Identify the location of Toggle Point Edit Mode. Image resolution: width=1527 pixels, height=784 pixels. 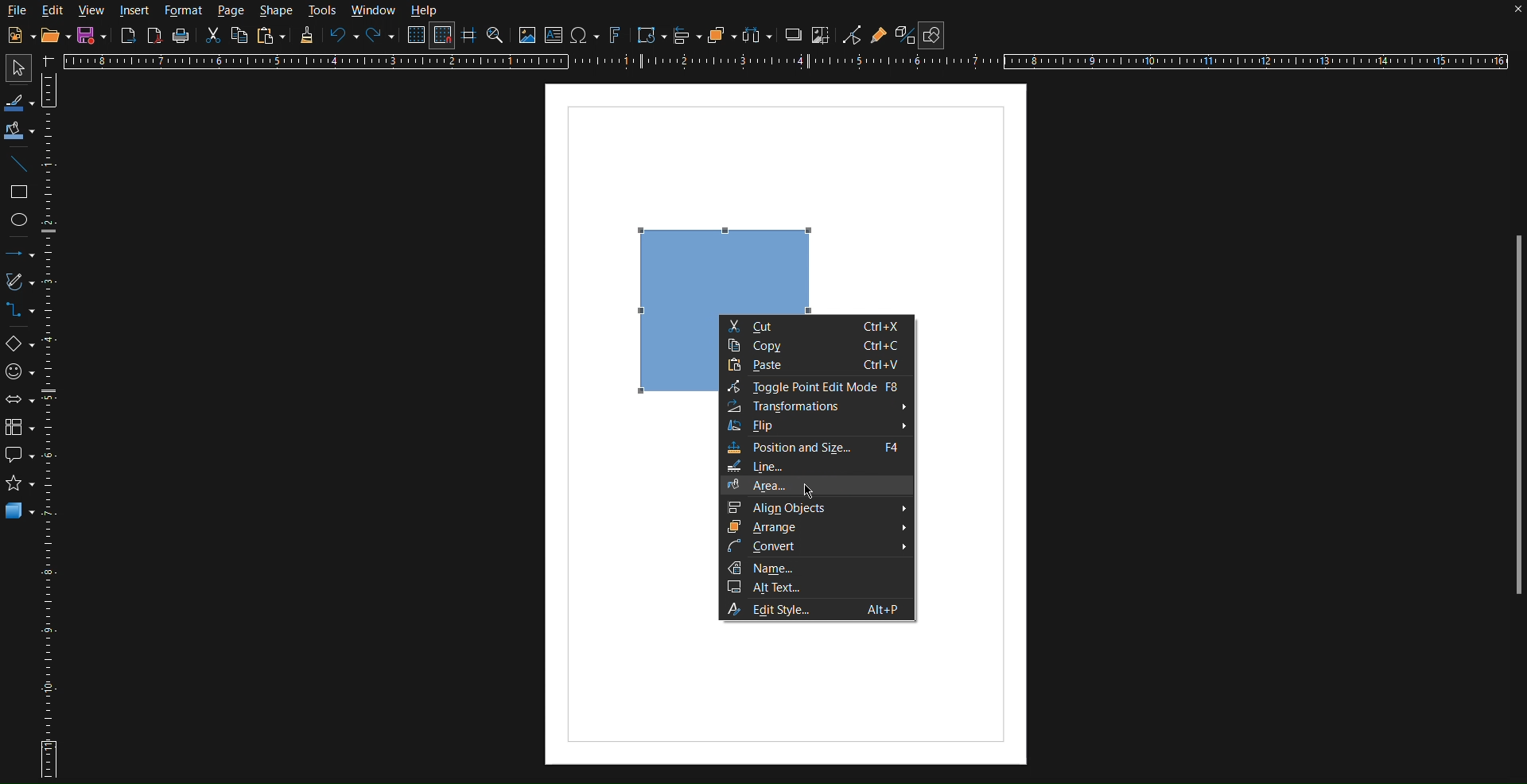
(815, 386).